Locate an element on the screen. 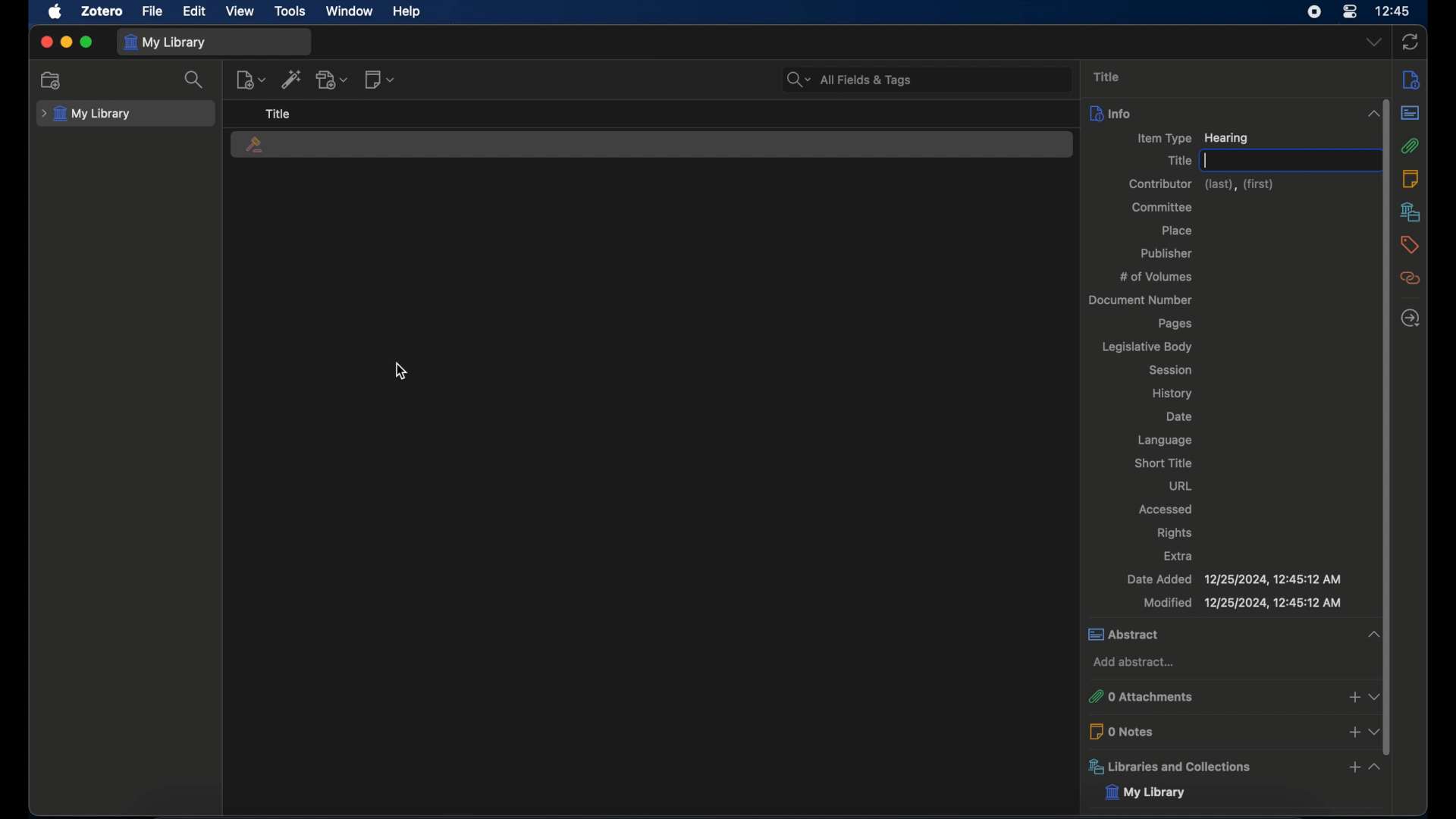 Image resolution: width=1456 pixels, height=819 pixels. zotero is located at coordinates (102, 11).